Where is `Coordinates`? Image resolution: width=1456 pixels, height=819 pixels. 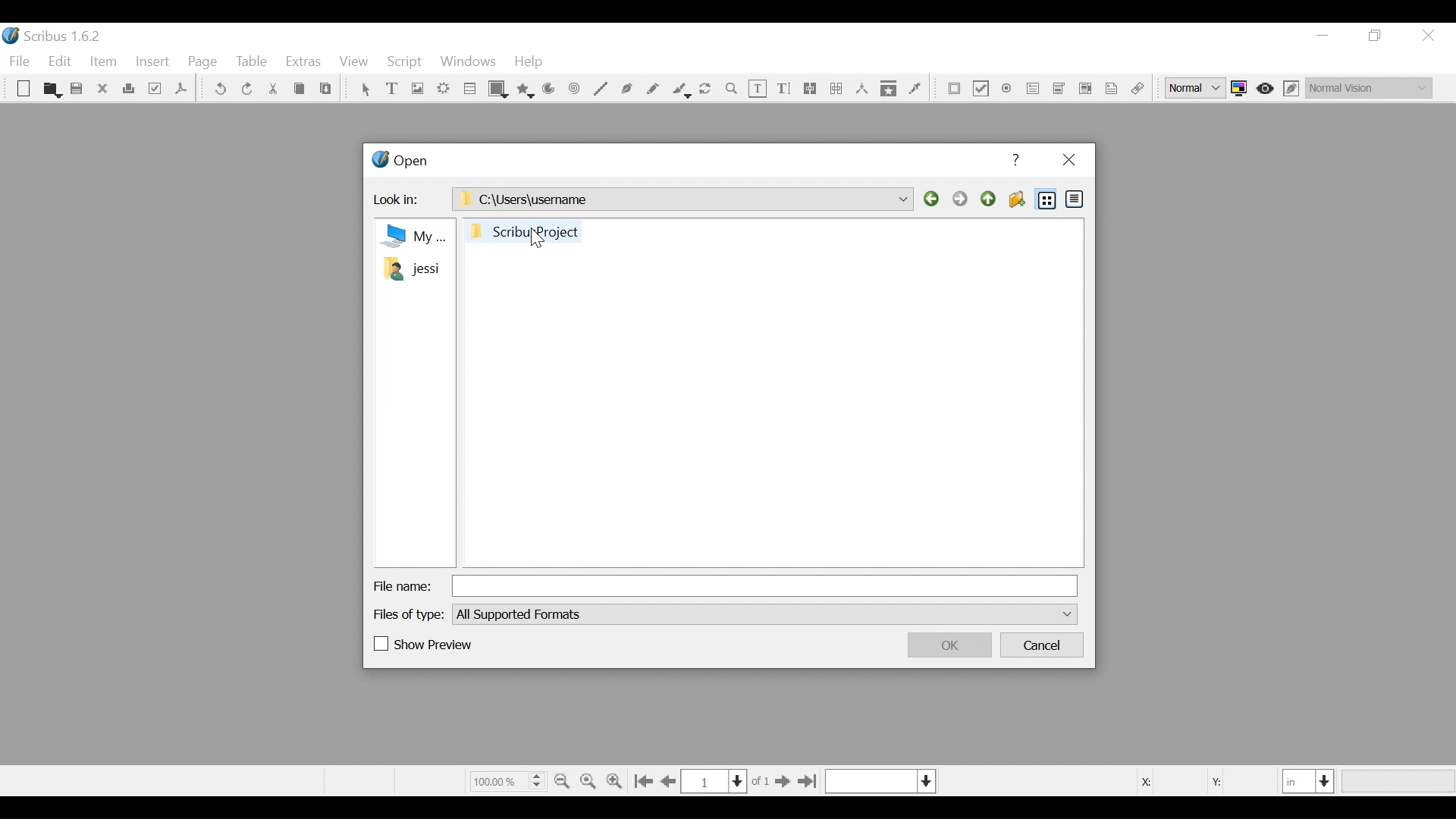
Coordinates is located at coordinates (1197, 780).